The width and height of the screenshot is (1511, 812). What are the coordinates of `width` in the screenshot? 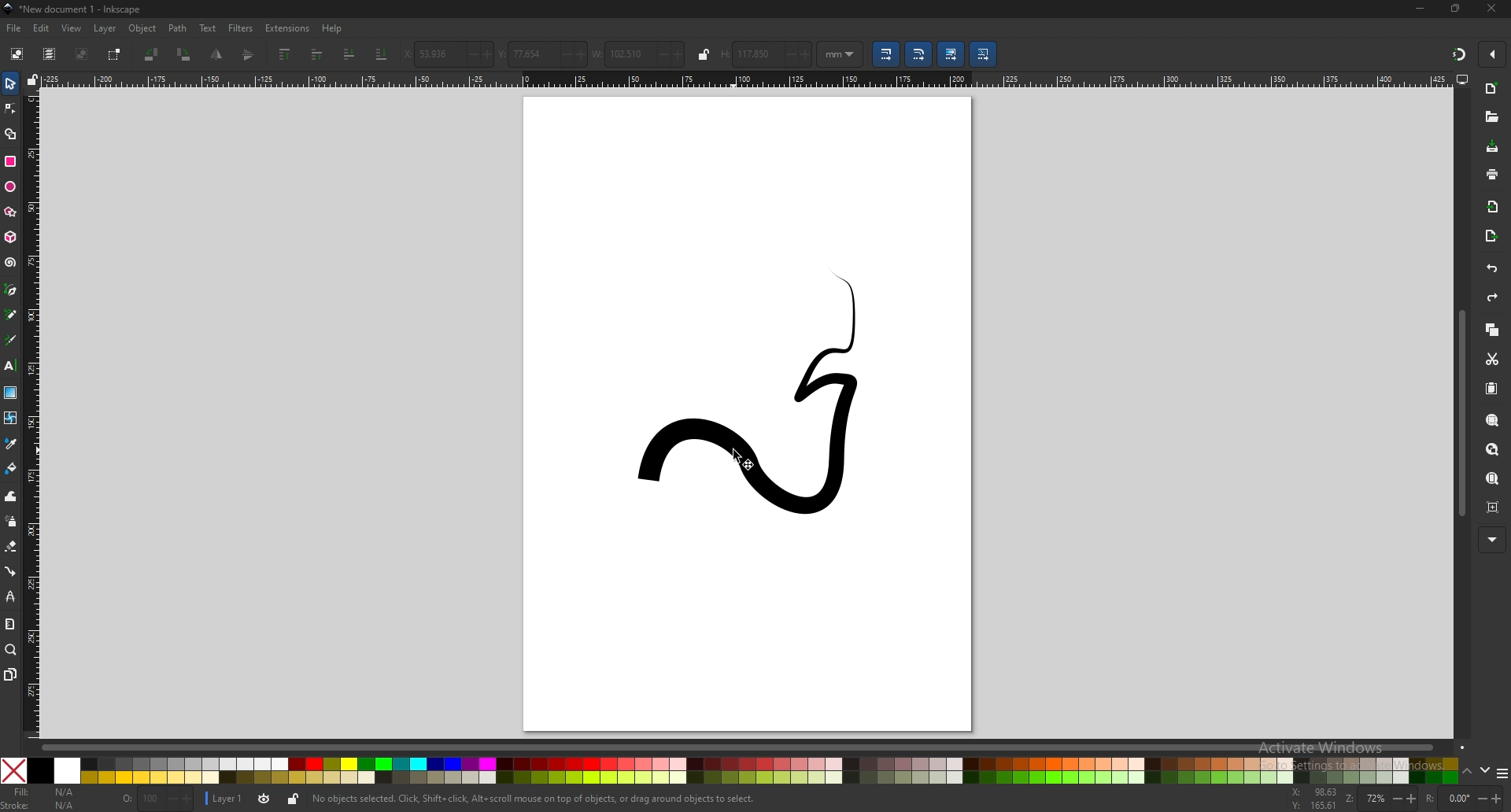 It's located at (637, 54).